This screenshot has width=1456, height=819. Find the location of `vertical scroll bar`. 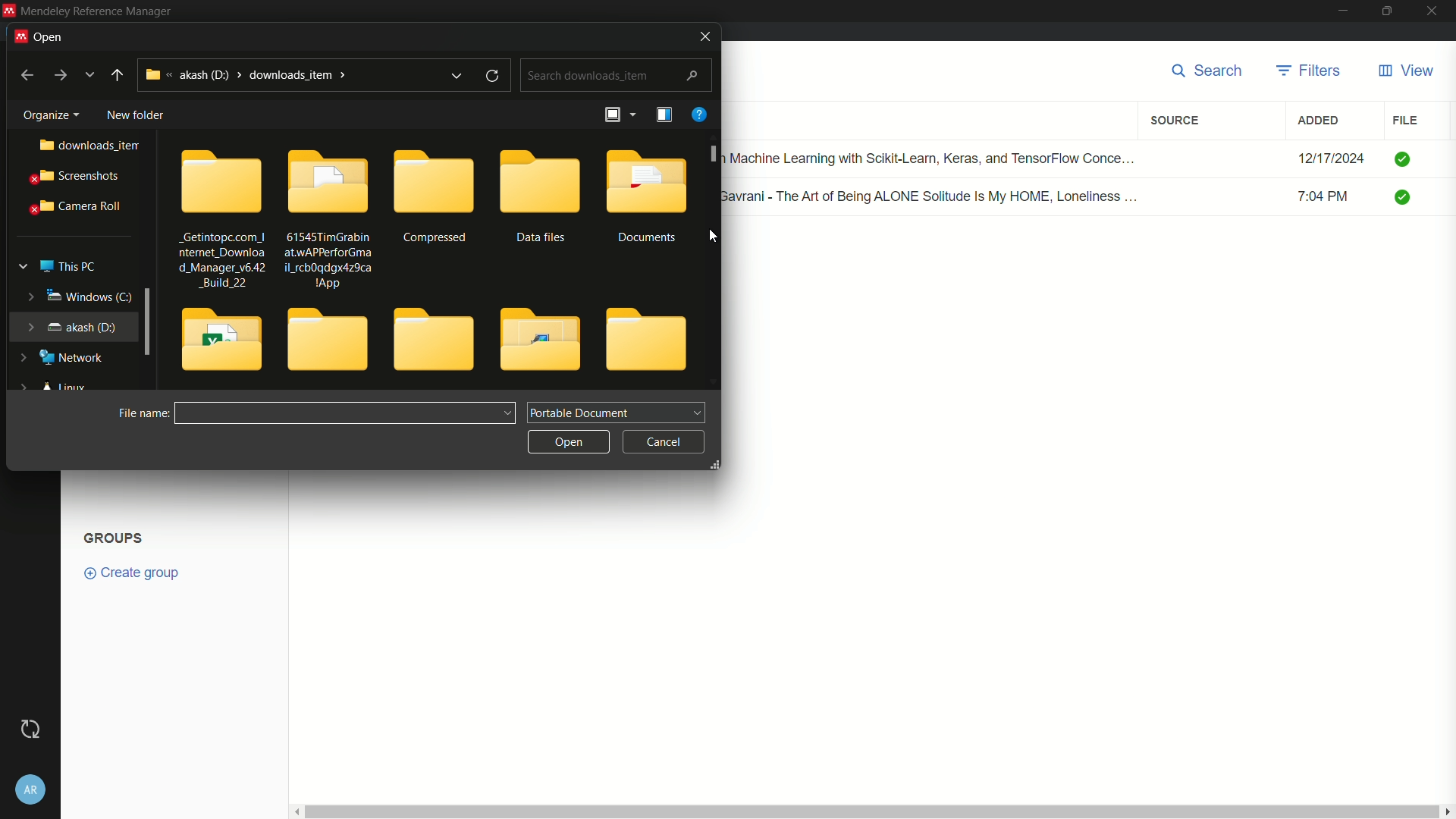

vertical scroll bar is located at coordinates (870, 811).